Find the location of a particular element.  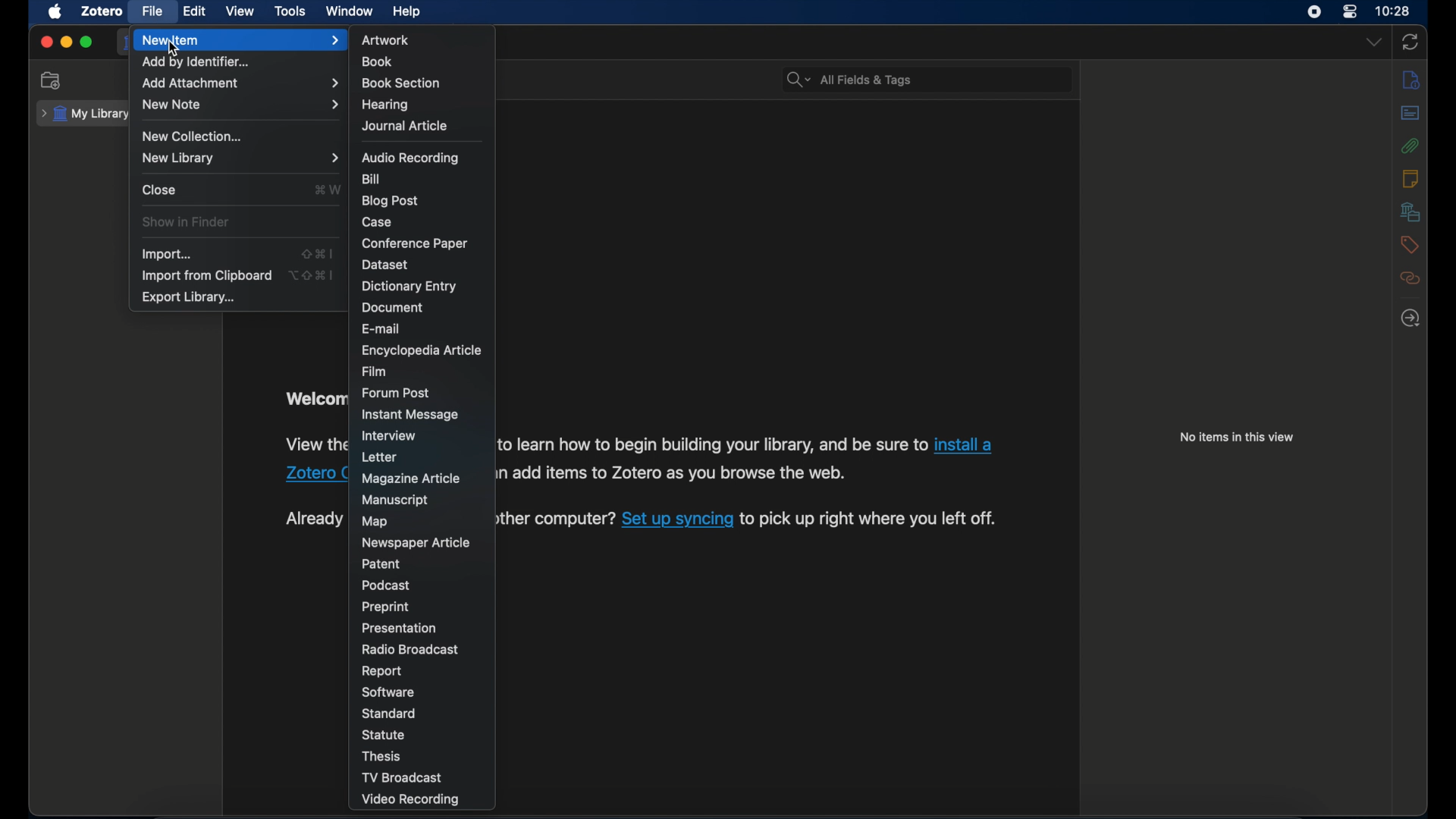

attachments is located at coordinates (1410, 146).